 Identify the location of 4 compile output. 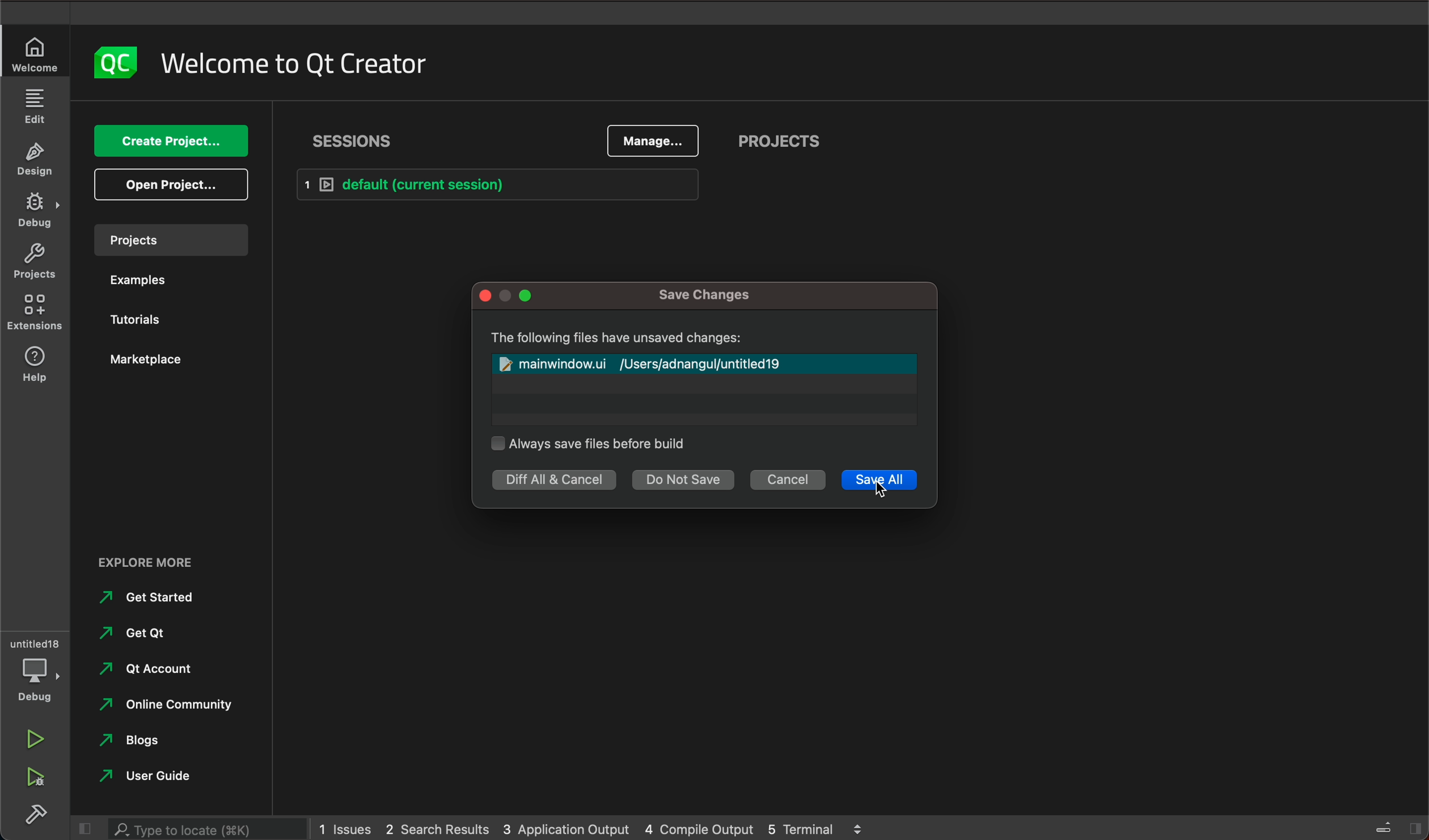
(699, 825).